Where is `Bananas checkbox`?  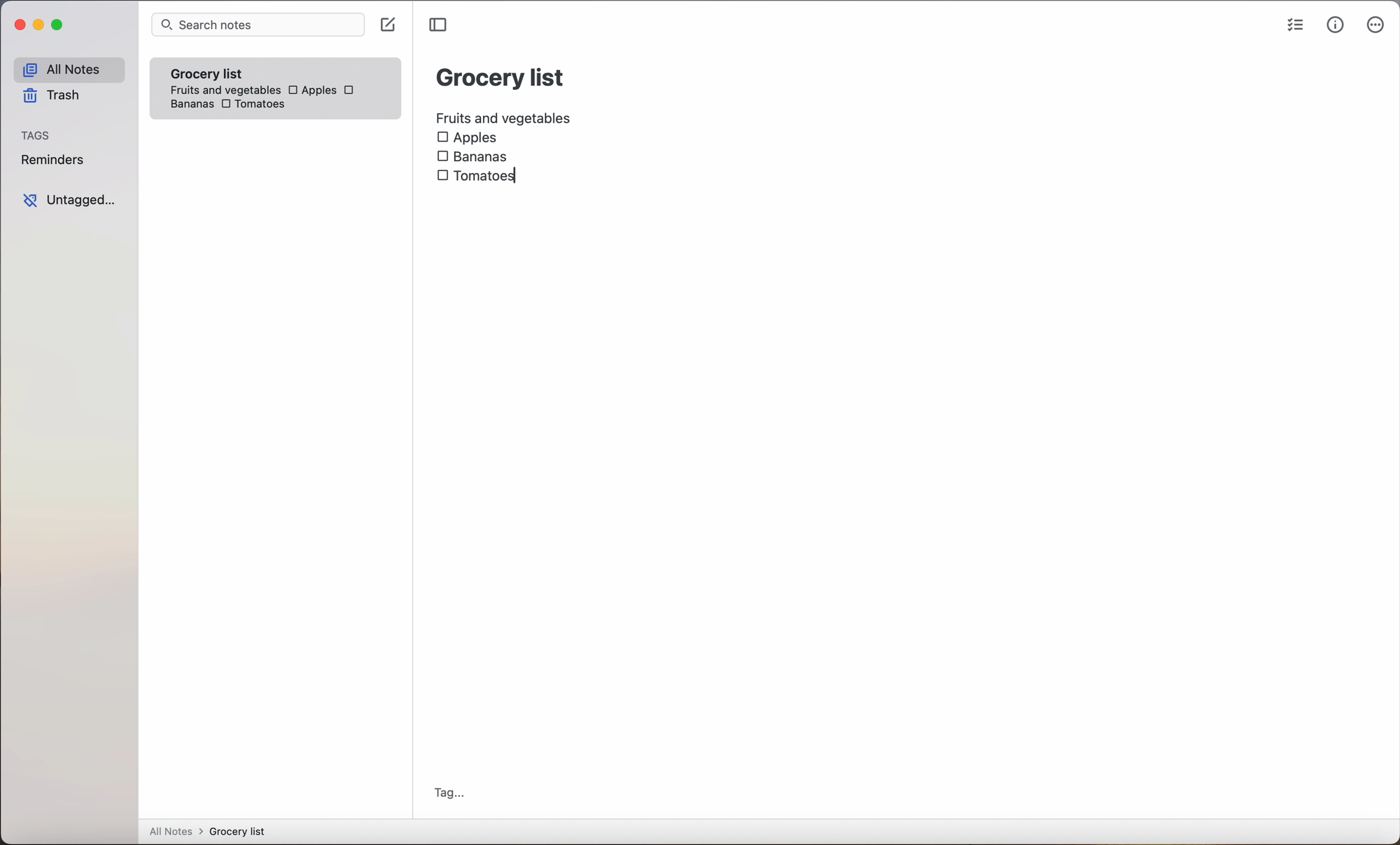 Bananas checkbox is located at coordinates (474, 154).